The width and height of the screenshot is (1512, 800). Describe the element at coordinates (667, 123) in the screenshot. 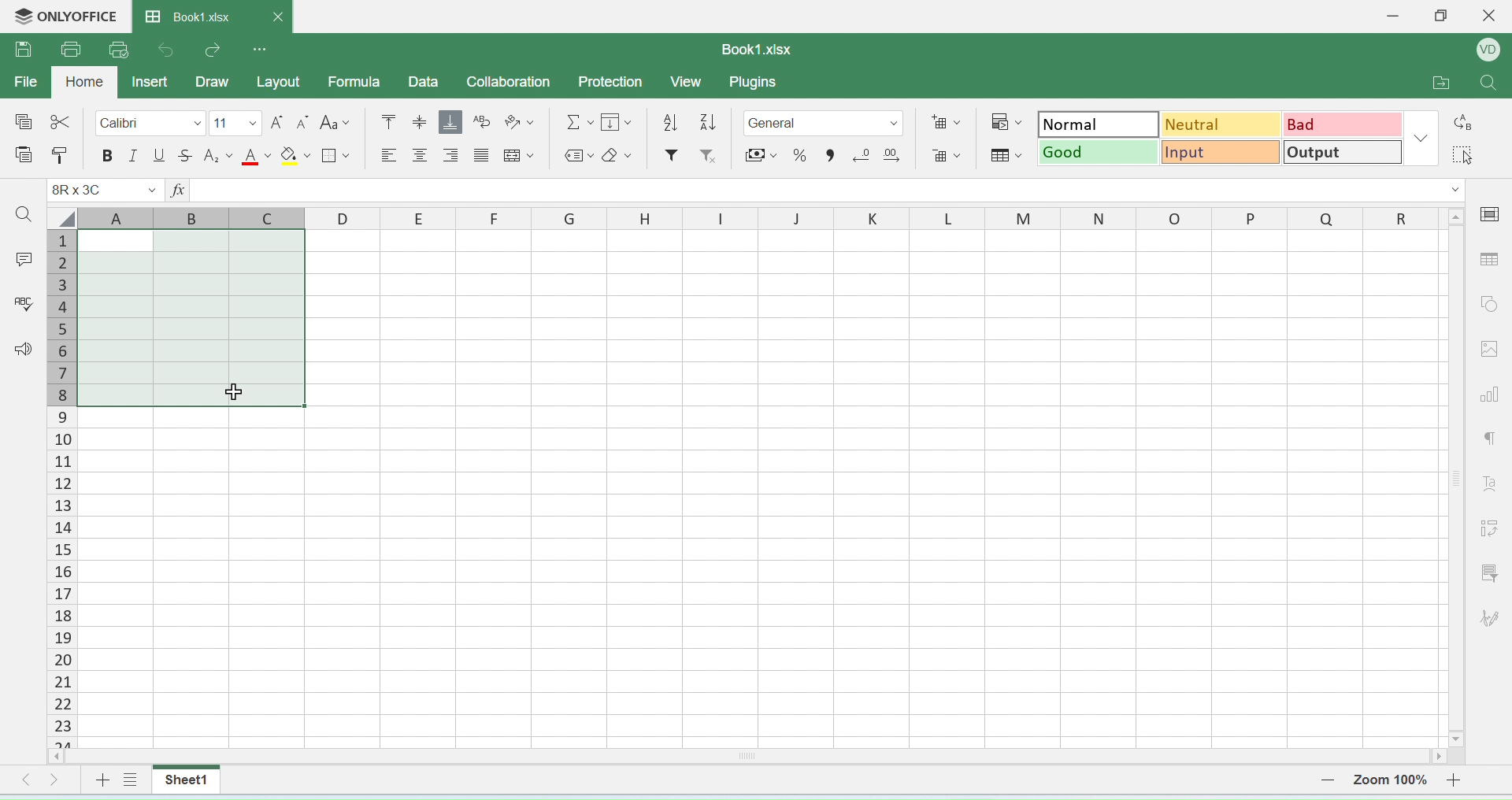

I see `descending order` at that location.